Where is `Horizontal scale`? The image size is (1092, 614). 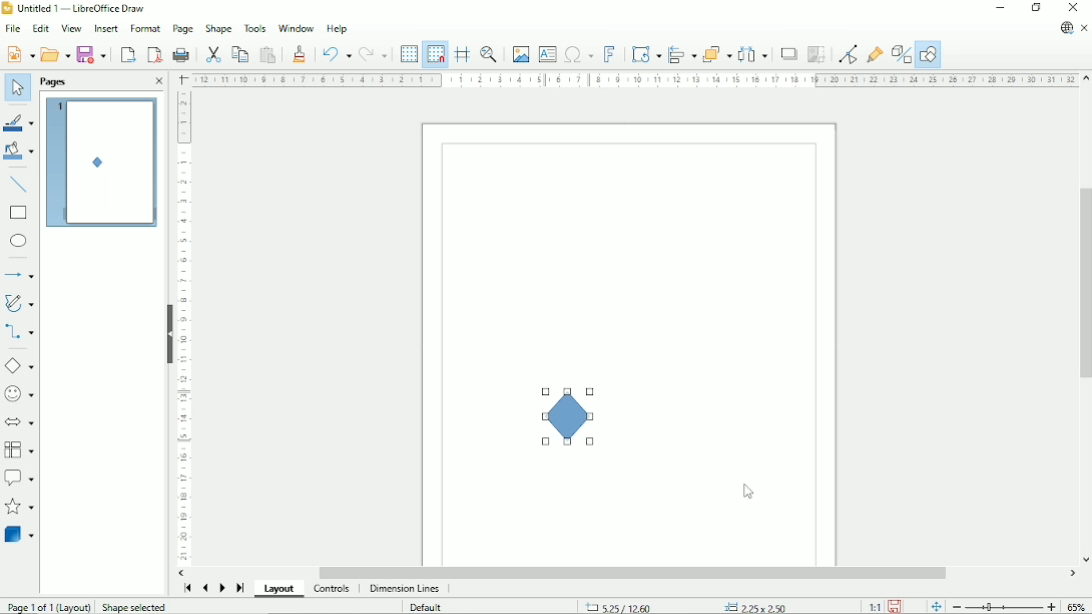
Horizontal scale is located at coordinates (634, 80).